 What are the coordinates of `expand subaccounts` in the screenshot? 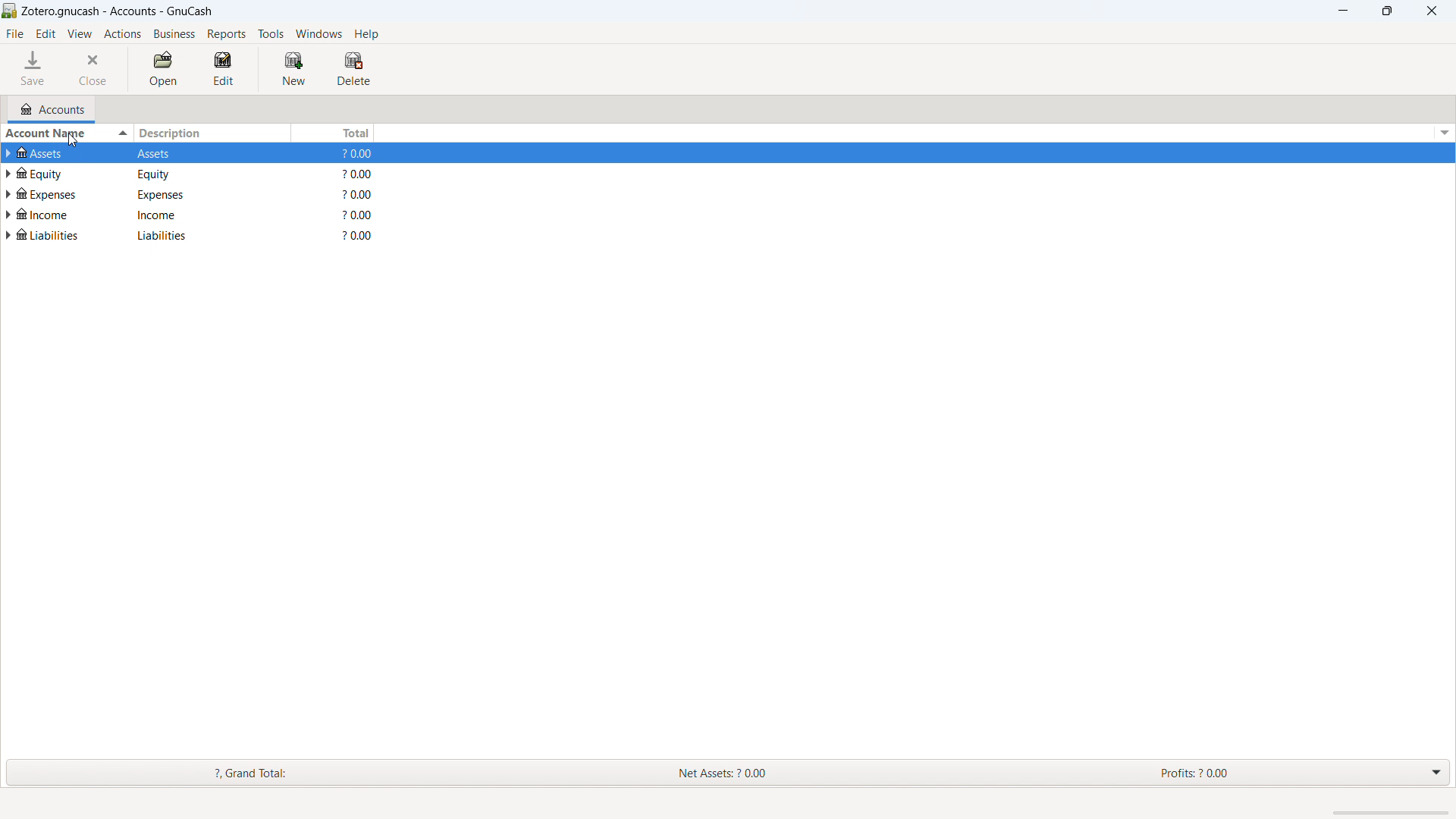 It's located at (9, 215).